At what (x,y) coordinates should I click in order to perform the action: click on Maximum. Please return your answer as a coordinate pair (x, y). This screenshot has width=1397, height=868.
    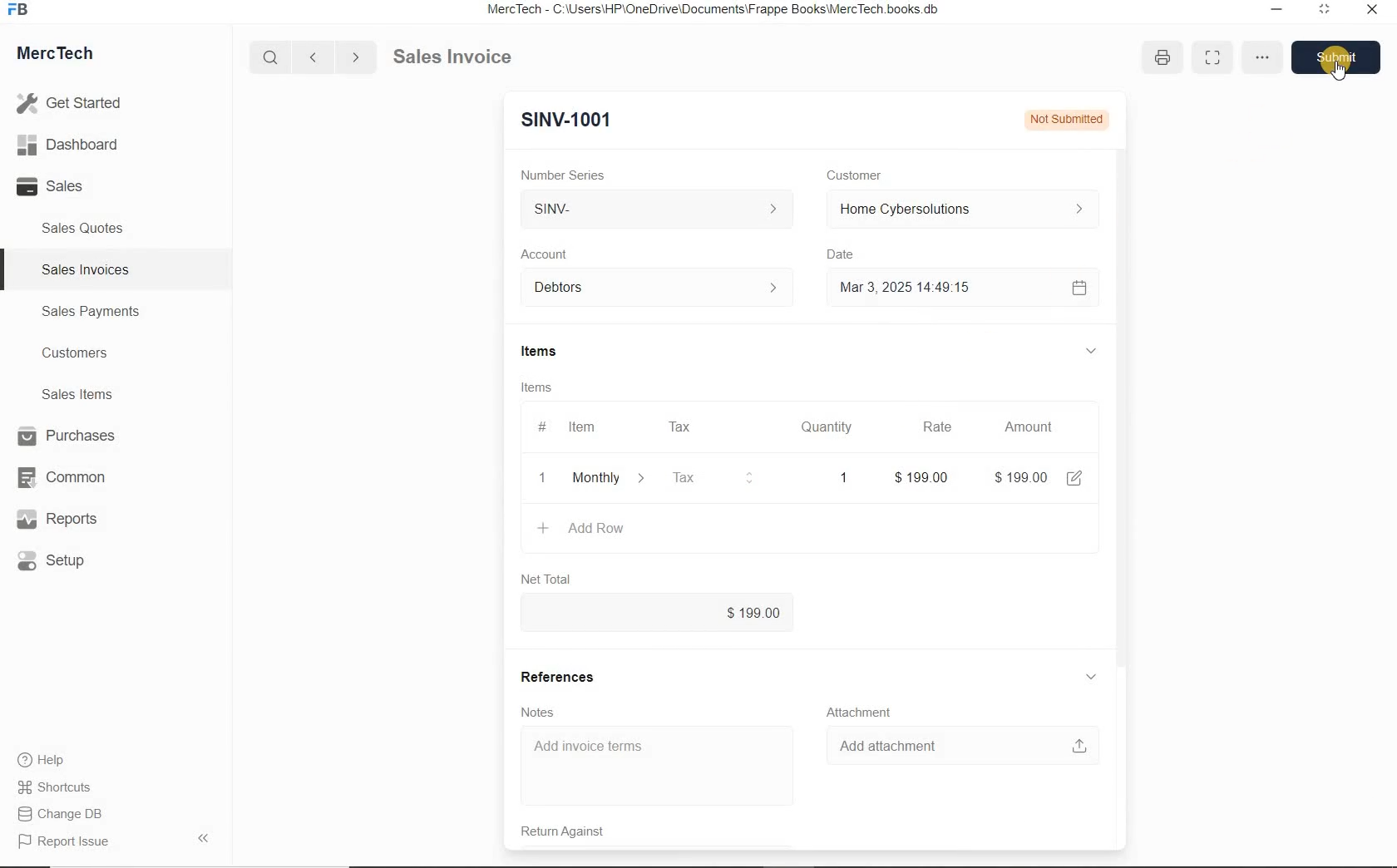
    Looking at the image, I should click on (1325, 12).